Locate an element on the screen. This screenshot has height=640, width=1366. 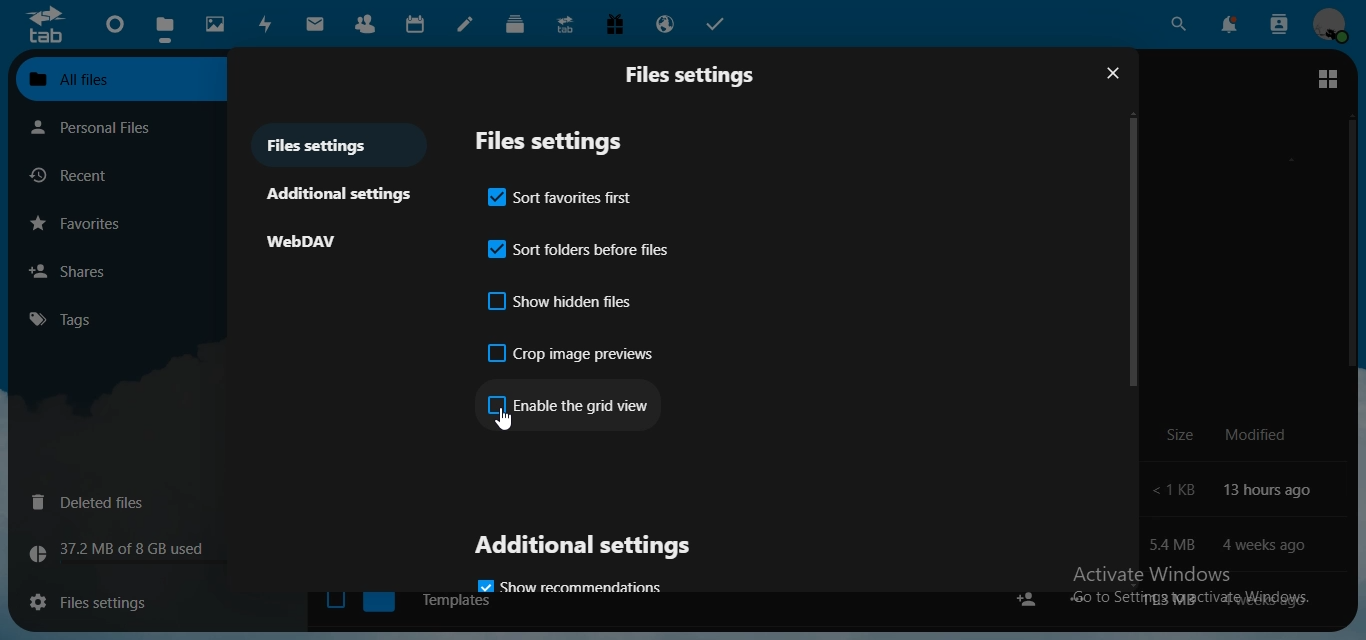
deck is located at coordinates (516, 26).